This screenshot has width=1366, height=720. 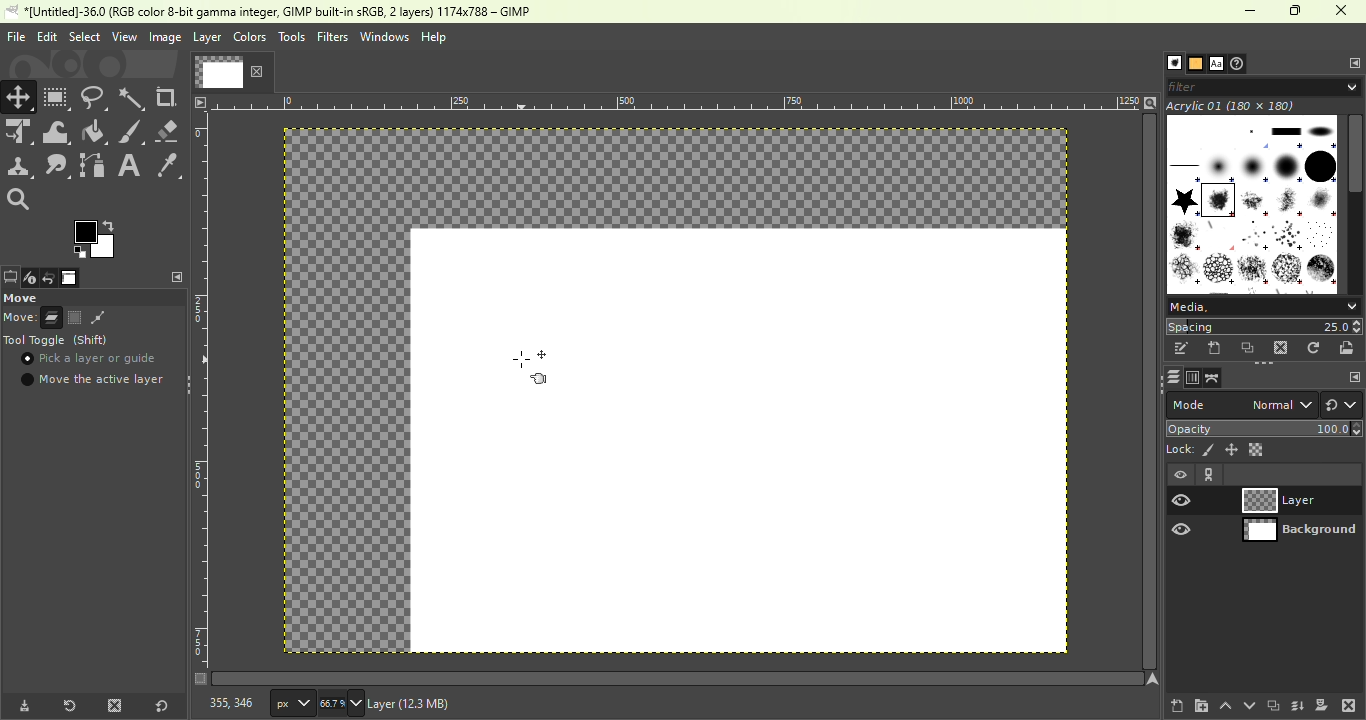 I want to click on Channels, so click(x=1191, y=378).